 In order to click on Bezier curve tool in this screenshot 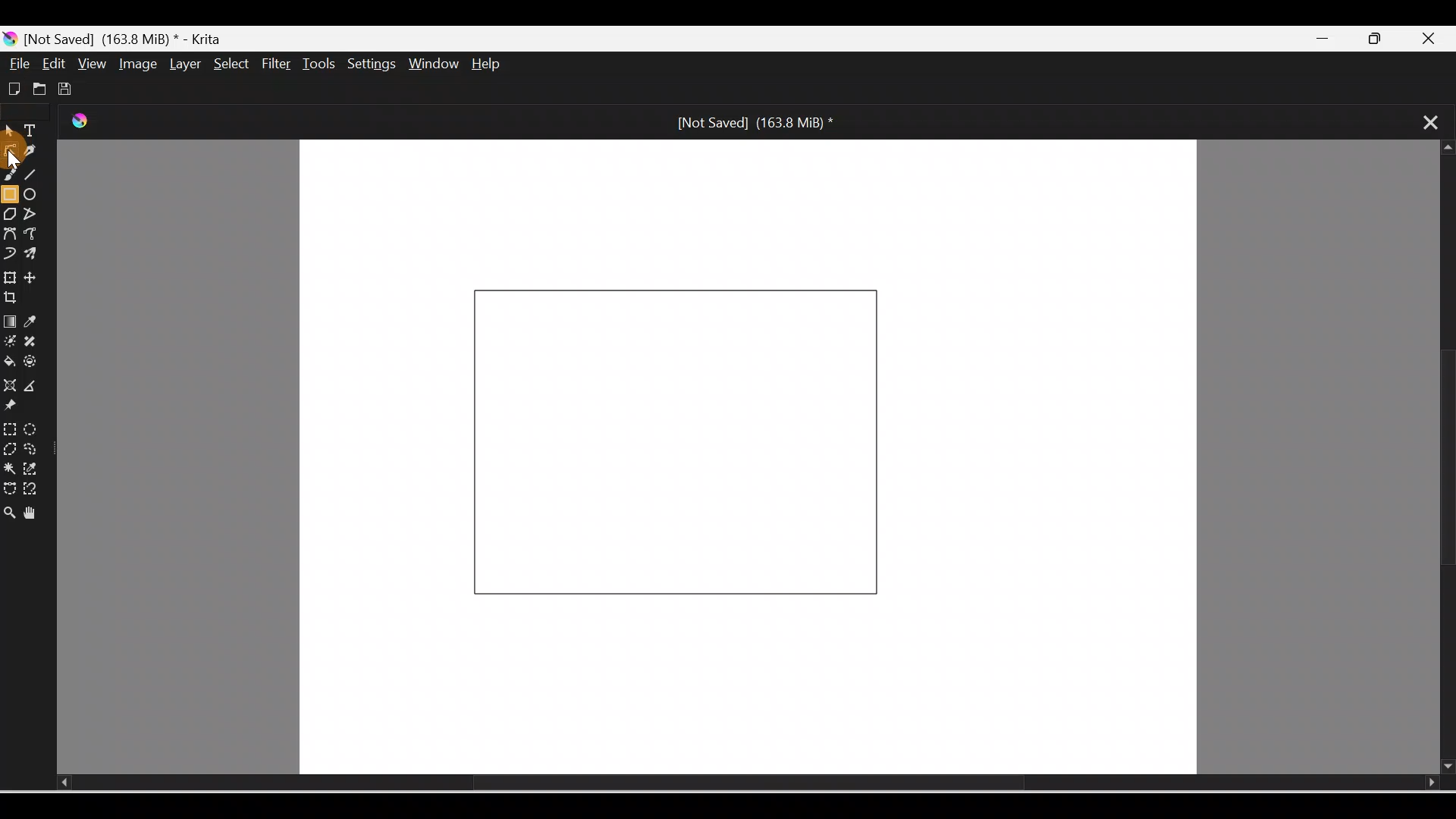, I will do `click(11, 233)`.